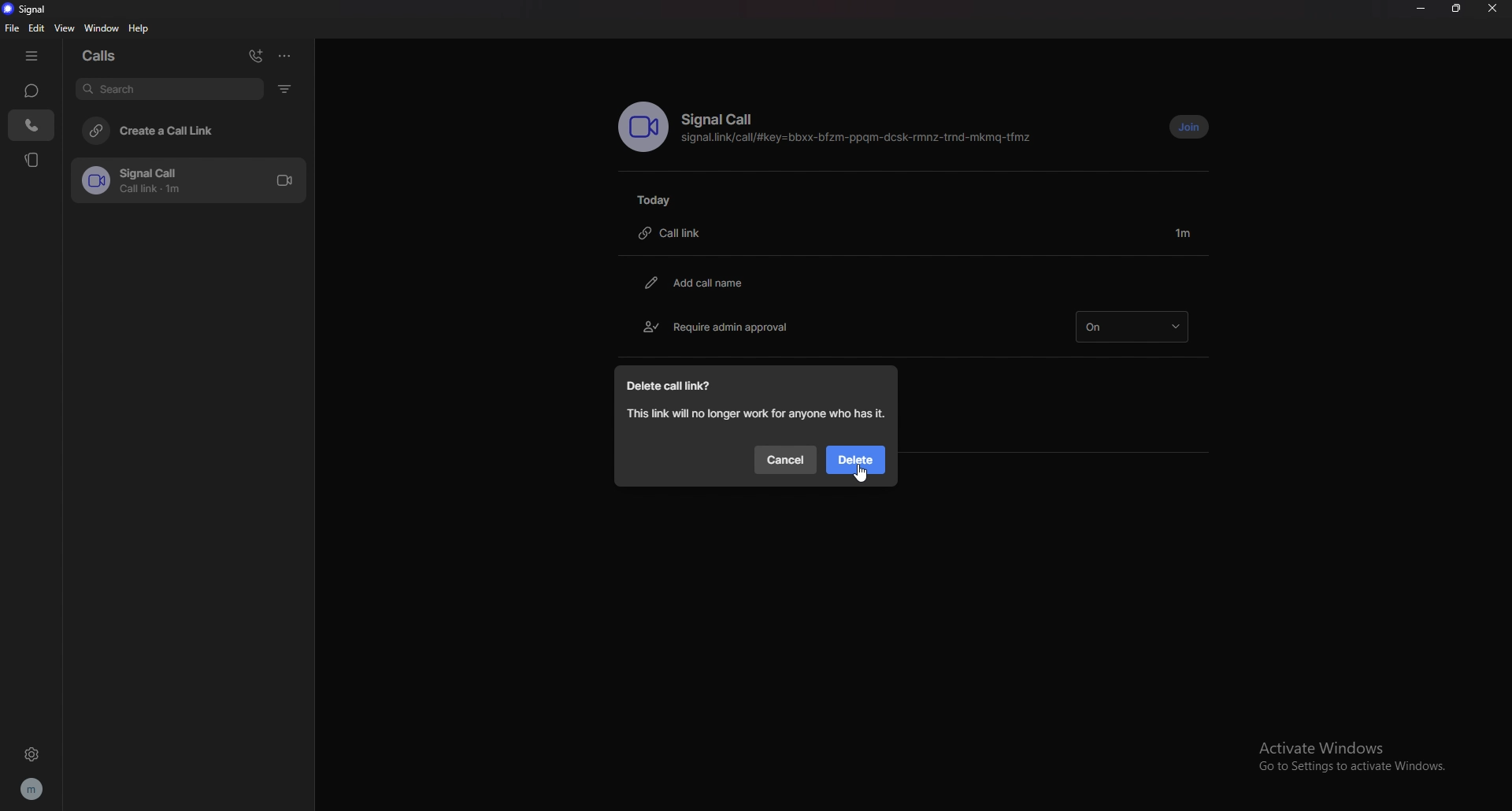 This screenshot has height=811, width=1512. Describe the element at coordinates (858, 460) in the screenshot. I see `delete` at that location.